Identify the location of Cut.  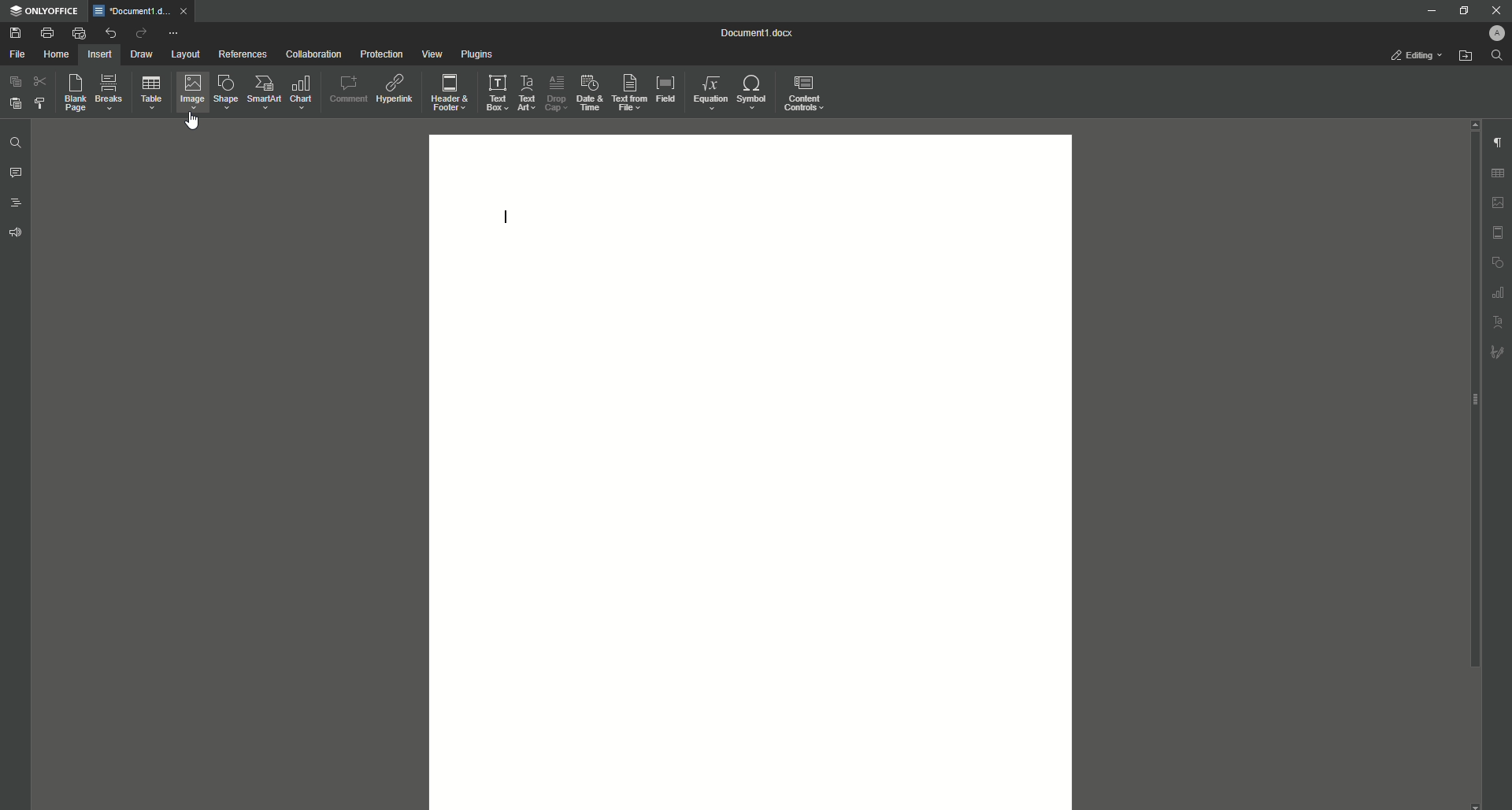
(43, 81).